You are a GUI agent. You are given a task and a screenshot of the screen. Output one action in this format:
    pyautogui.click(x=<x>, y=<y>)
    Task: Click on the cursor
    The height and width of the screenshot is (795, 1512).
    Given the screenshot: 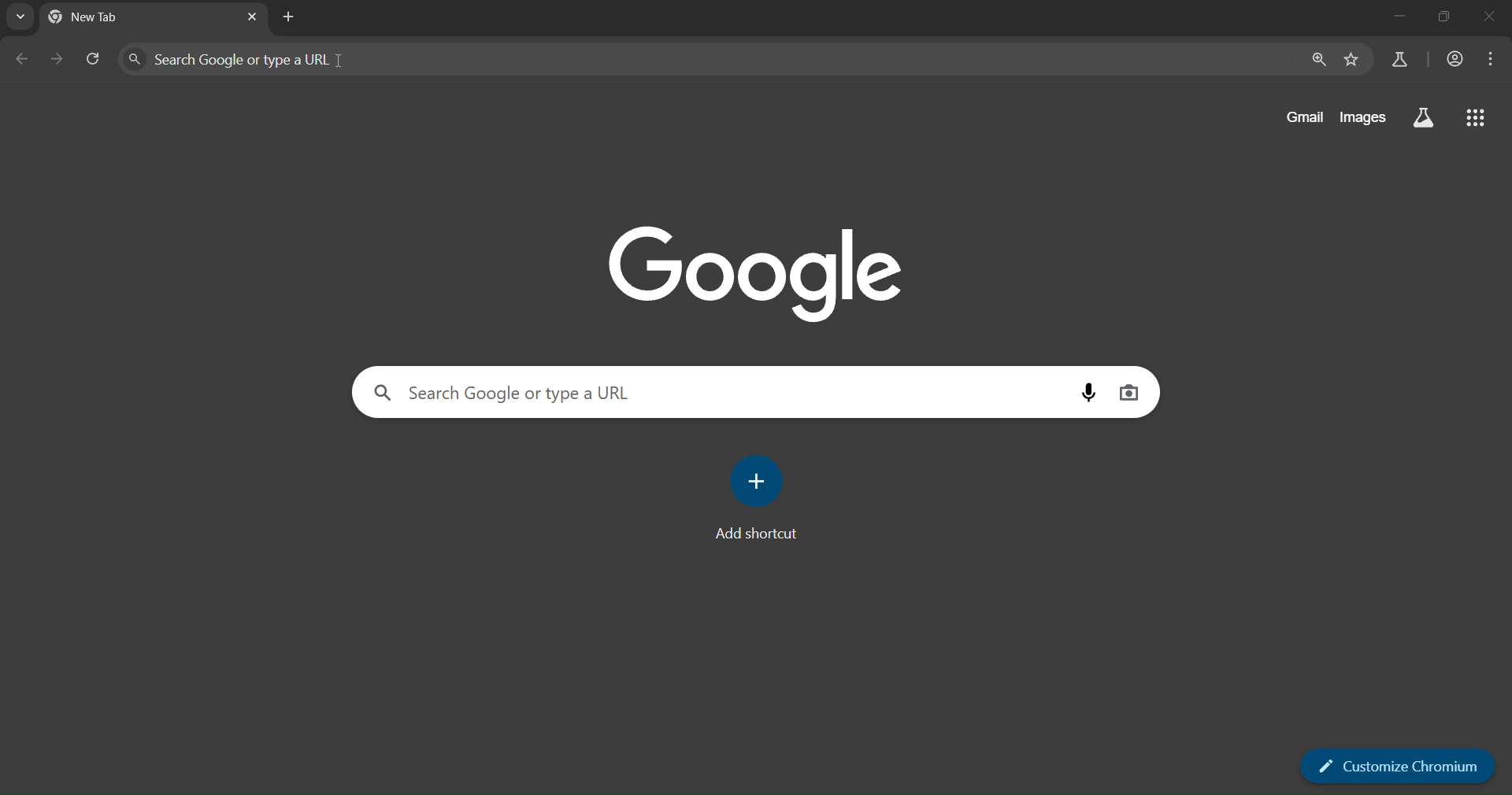 What is the action you would take?
    pyautogui.click(x=337, y=65)
    